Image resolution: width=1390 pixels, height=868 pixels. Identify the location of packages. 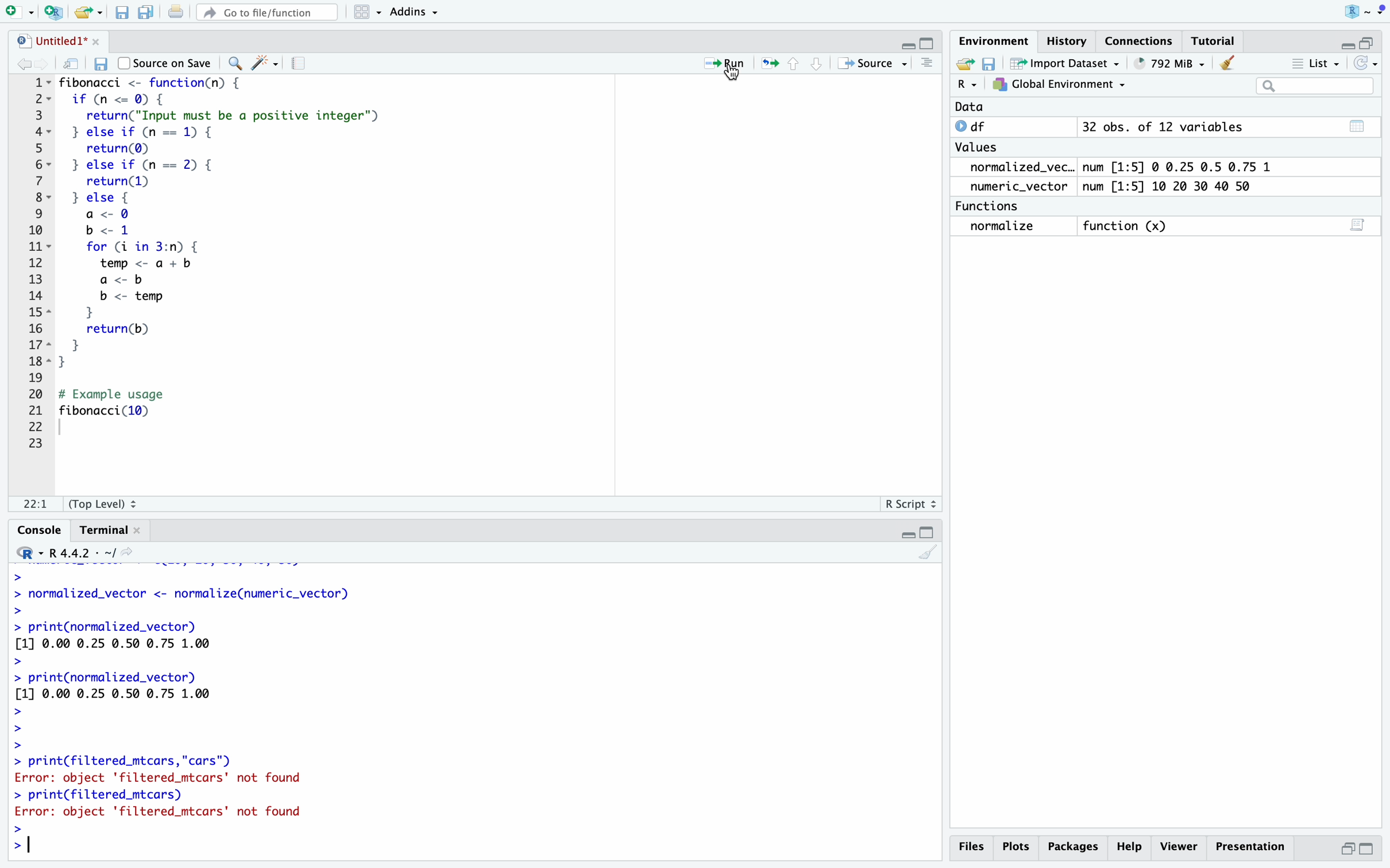
(1073, 848).